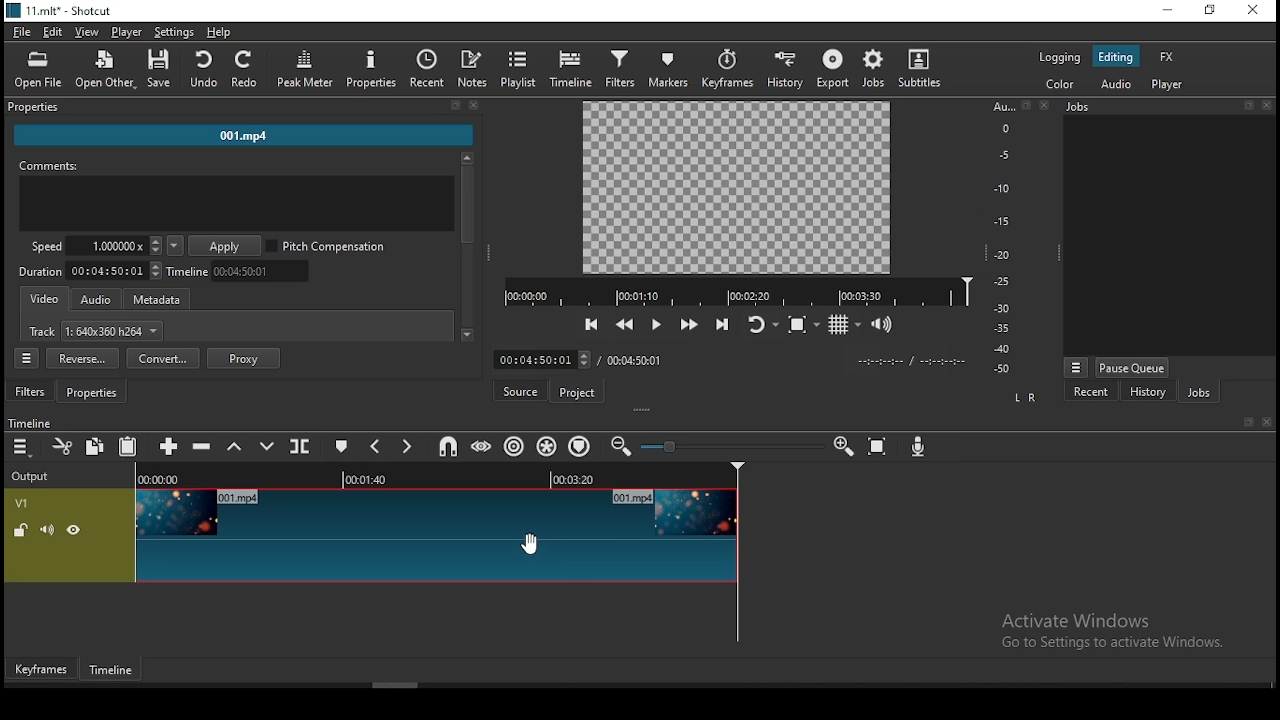  Describe the element at coordinates (267, 447) in the screenshot. I see `overwrite` at that location.